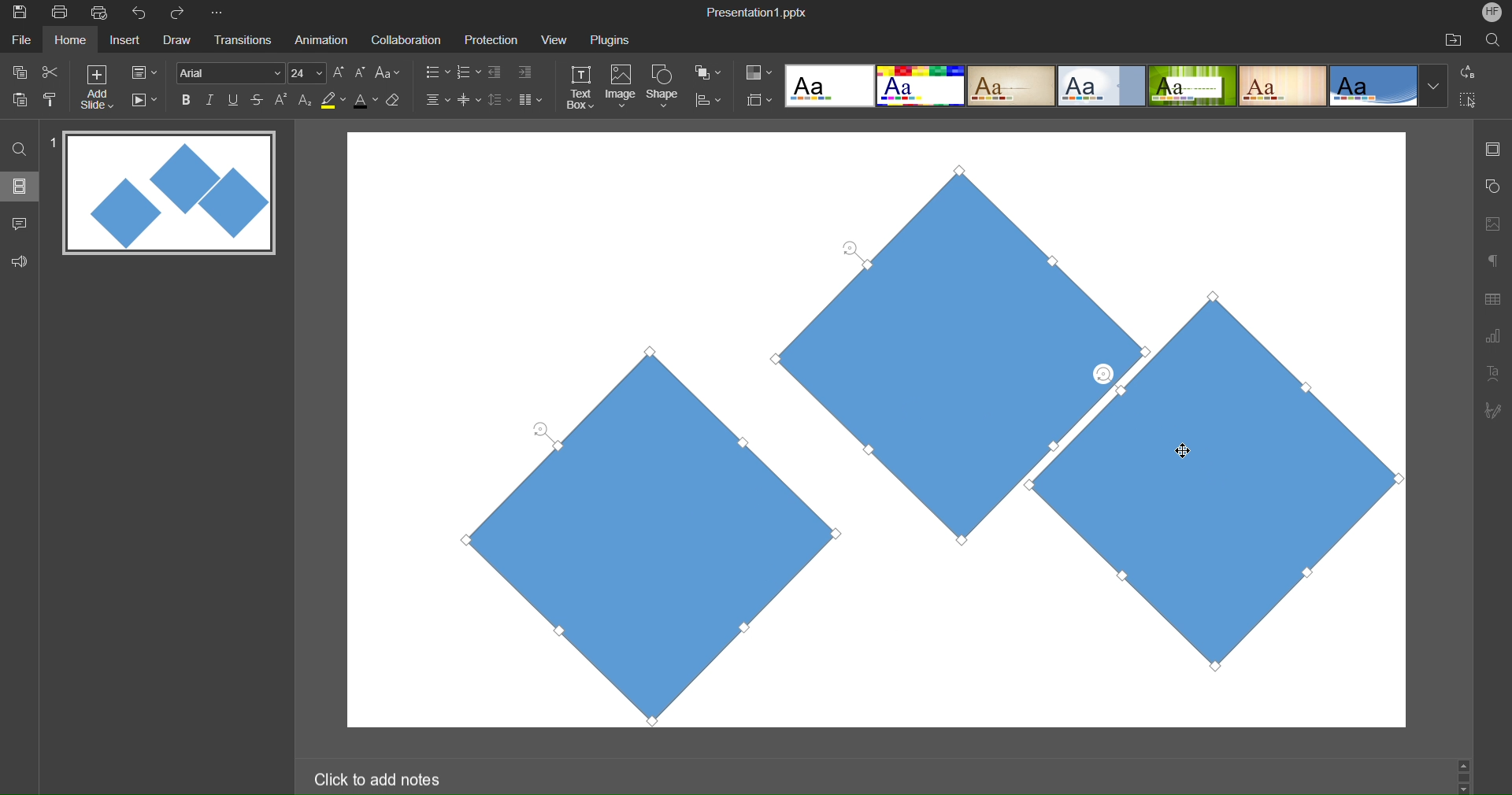 This screenshot has width=1512, height=795. I want to click on Erase Style, so click(395, 100).